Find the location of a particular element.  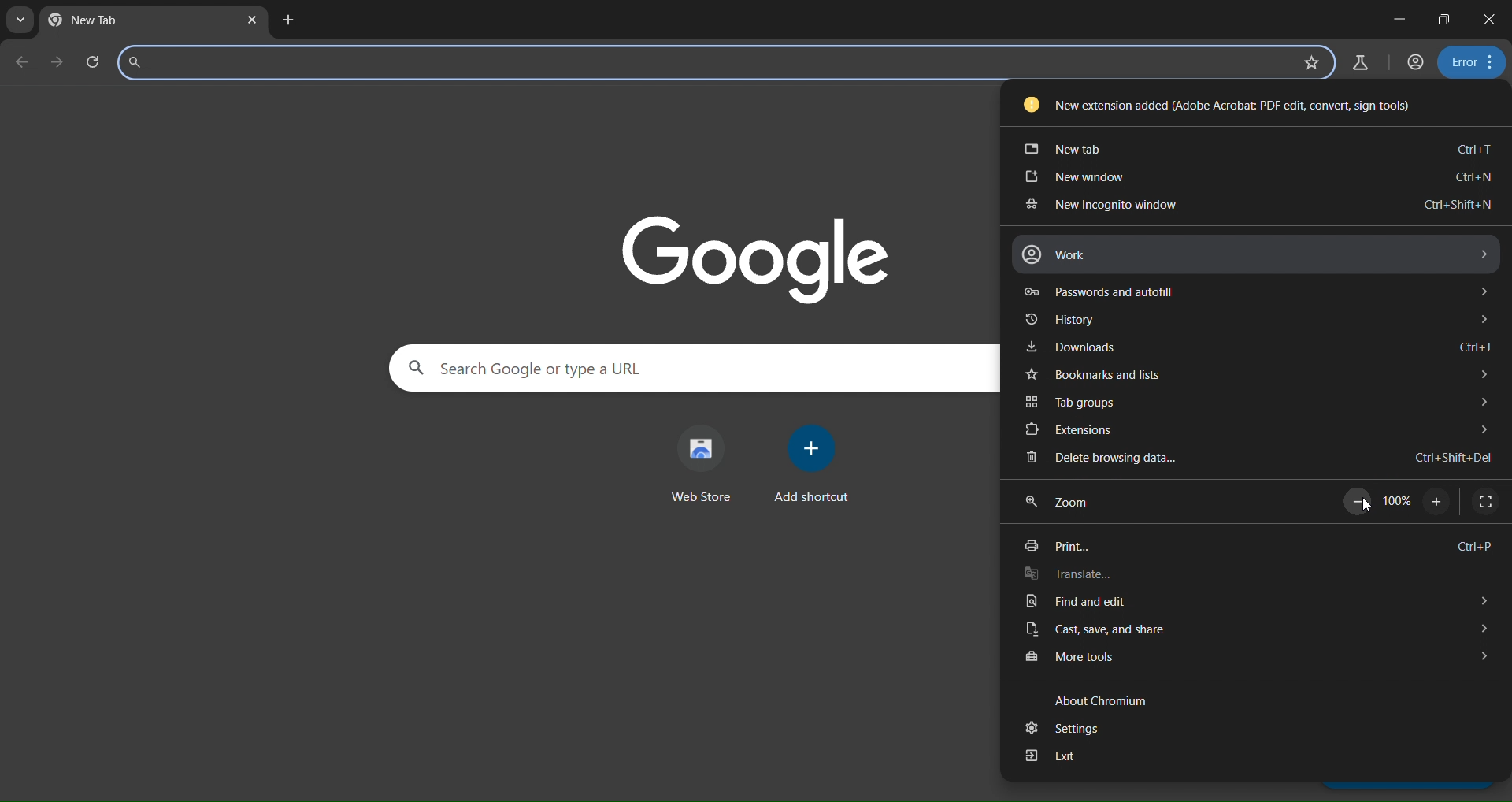

search panel is located at coordinates (695, 367).